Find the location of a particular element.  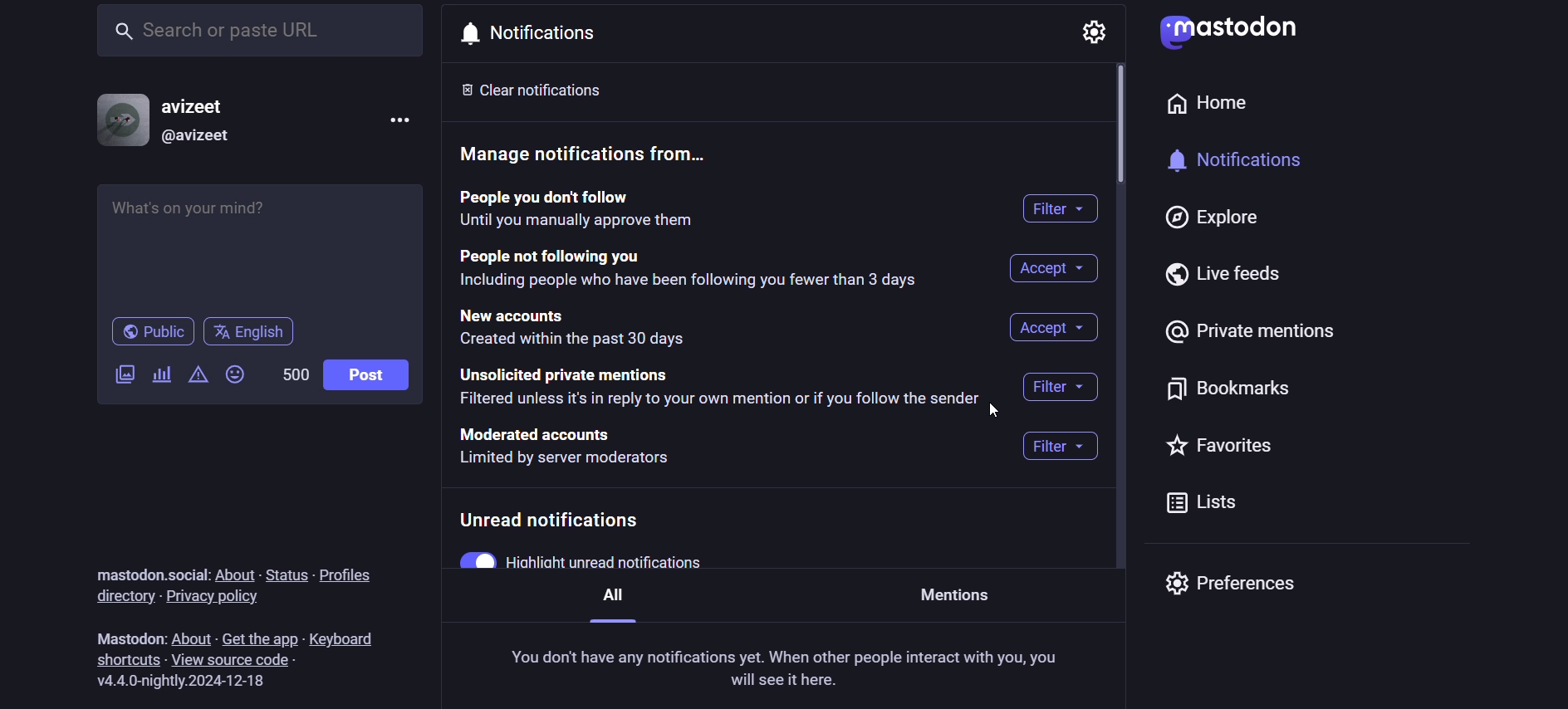

Manage notifications from... is located at coordinates (584, 153).